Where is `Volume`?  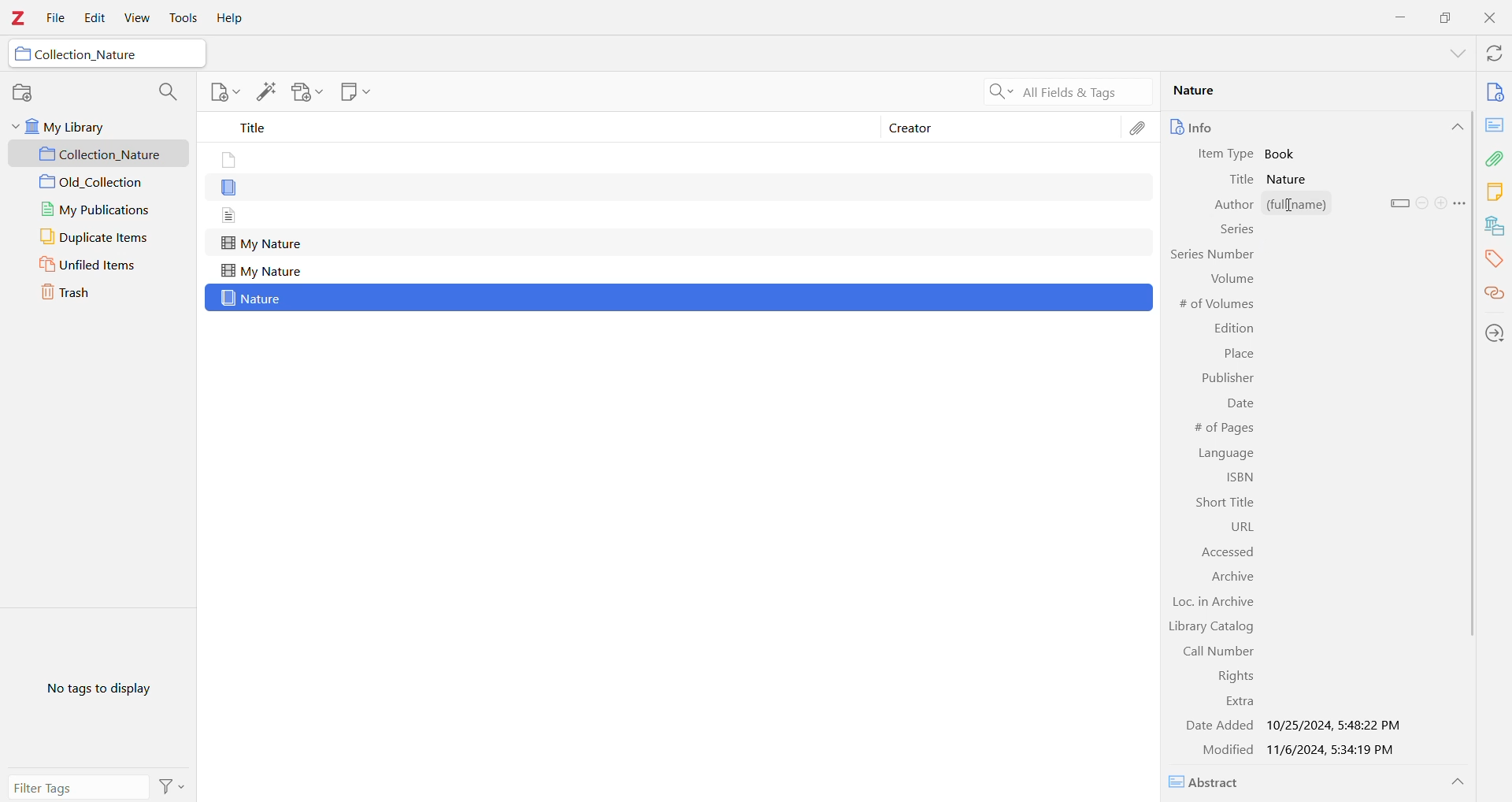 Volume is located at coordinates (1230, 278).